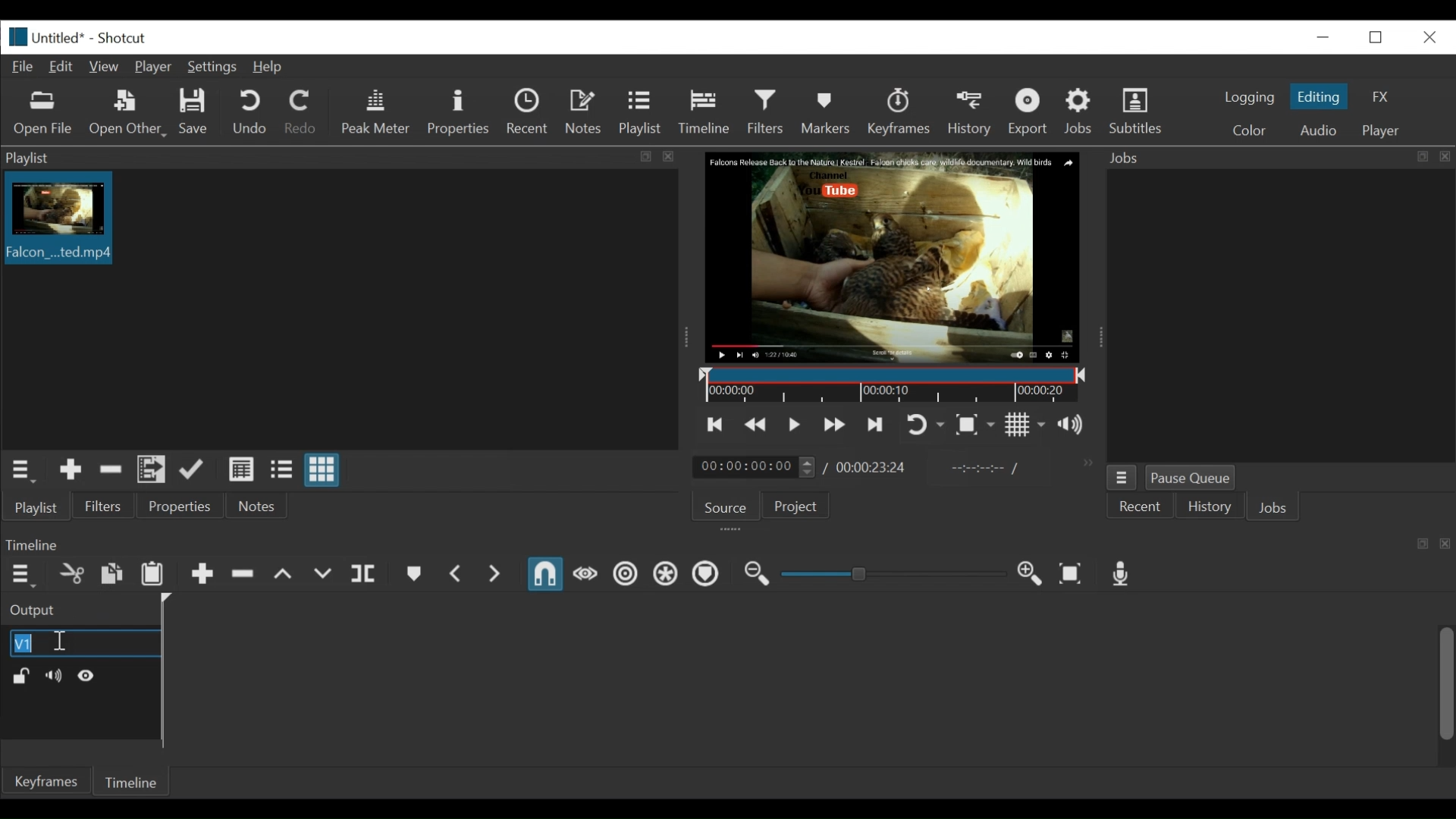  I want to click on Ripple delete, so click(243, 575).